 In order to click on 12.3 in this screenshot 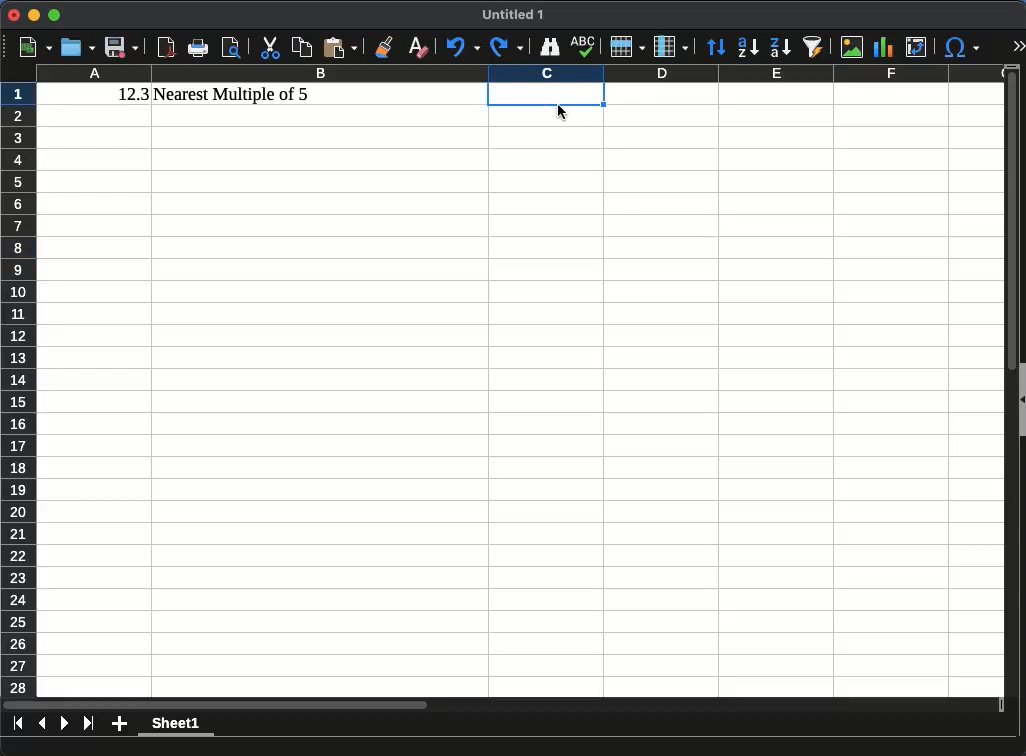, I will do `click(134, 94)`.